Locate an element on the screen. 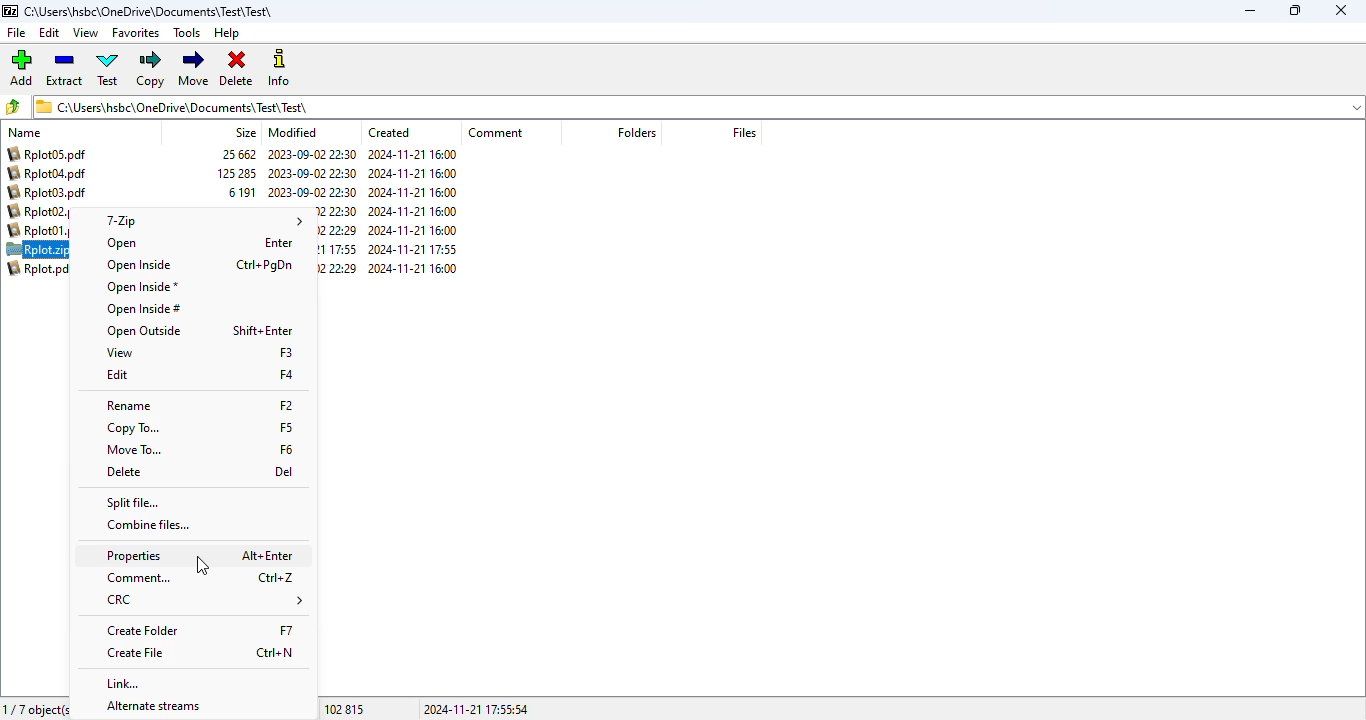 The height and width of the screenshot is (720, 1366). maximize is located at coordinates (1296, 10).